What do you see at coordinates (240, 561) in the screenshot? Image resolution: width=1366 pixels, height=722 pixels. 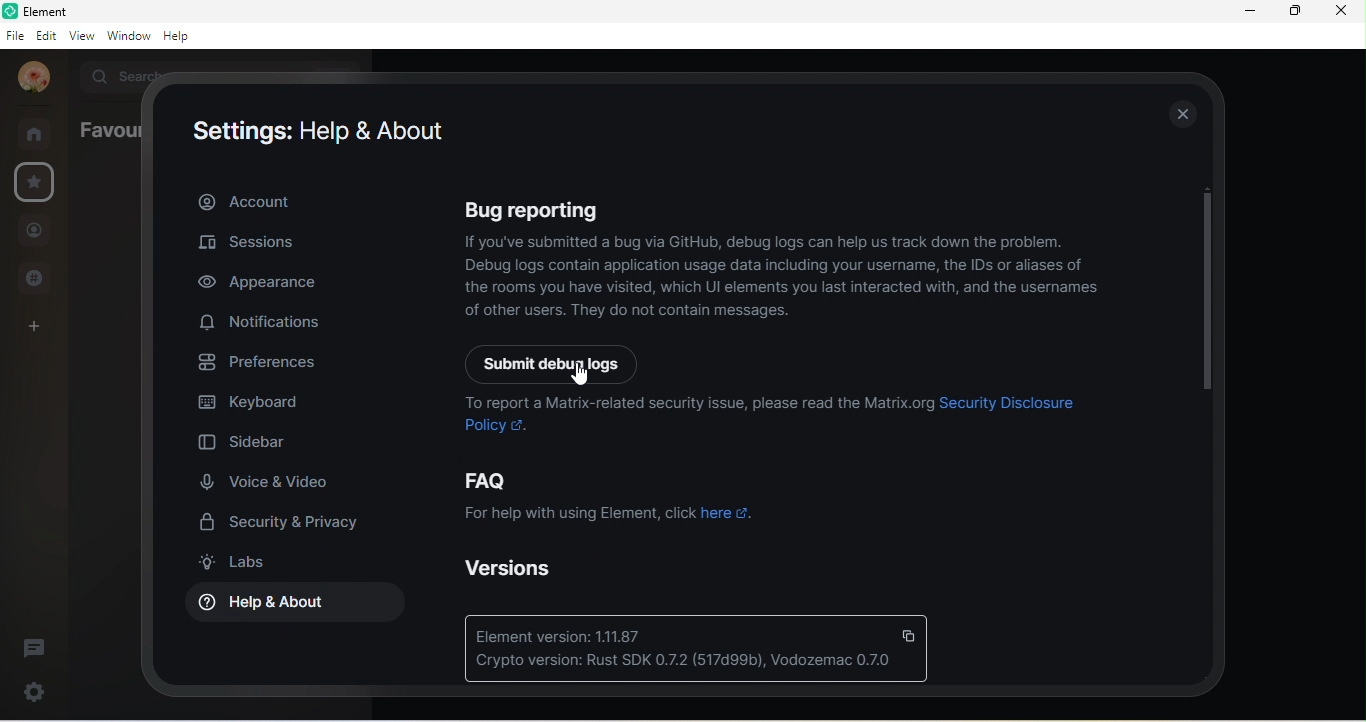 I see `labs` at bounding box center [240, 561].